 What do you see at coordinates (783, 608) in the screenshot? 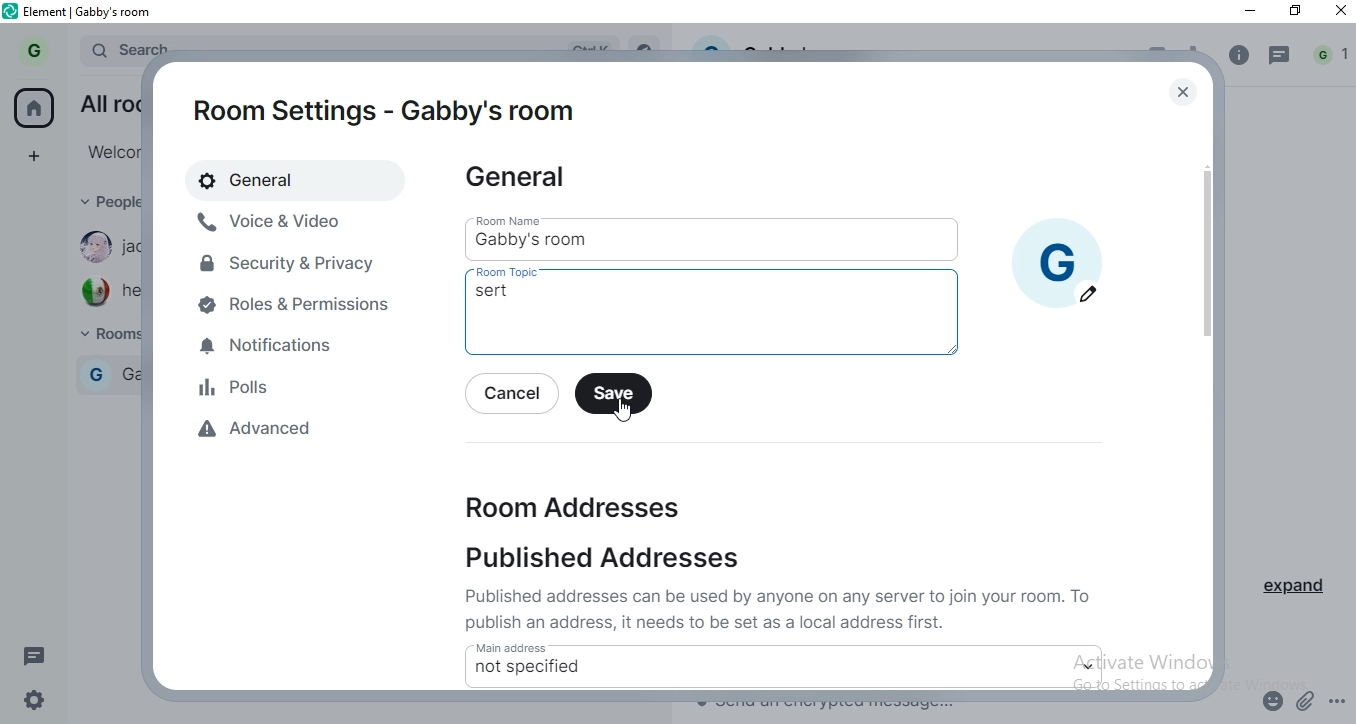
I see `text 1` at bounding box center [783, 608].